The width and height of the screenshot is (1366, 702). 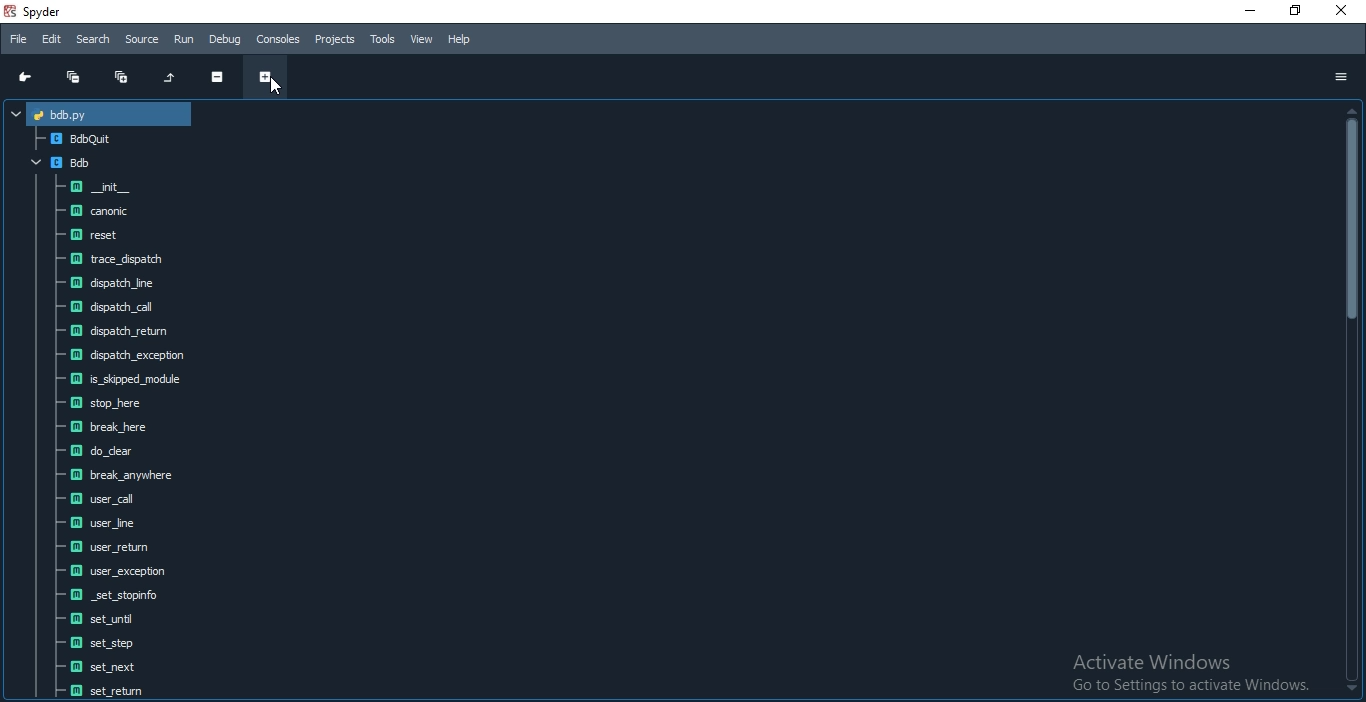 I want to click on cursor, so click(x=280, y=86).